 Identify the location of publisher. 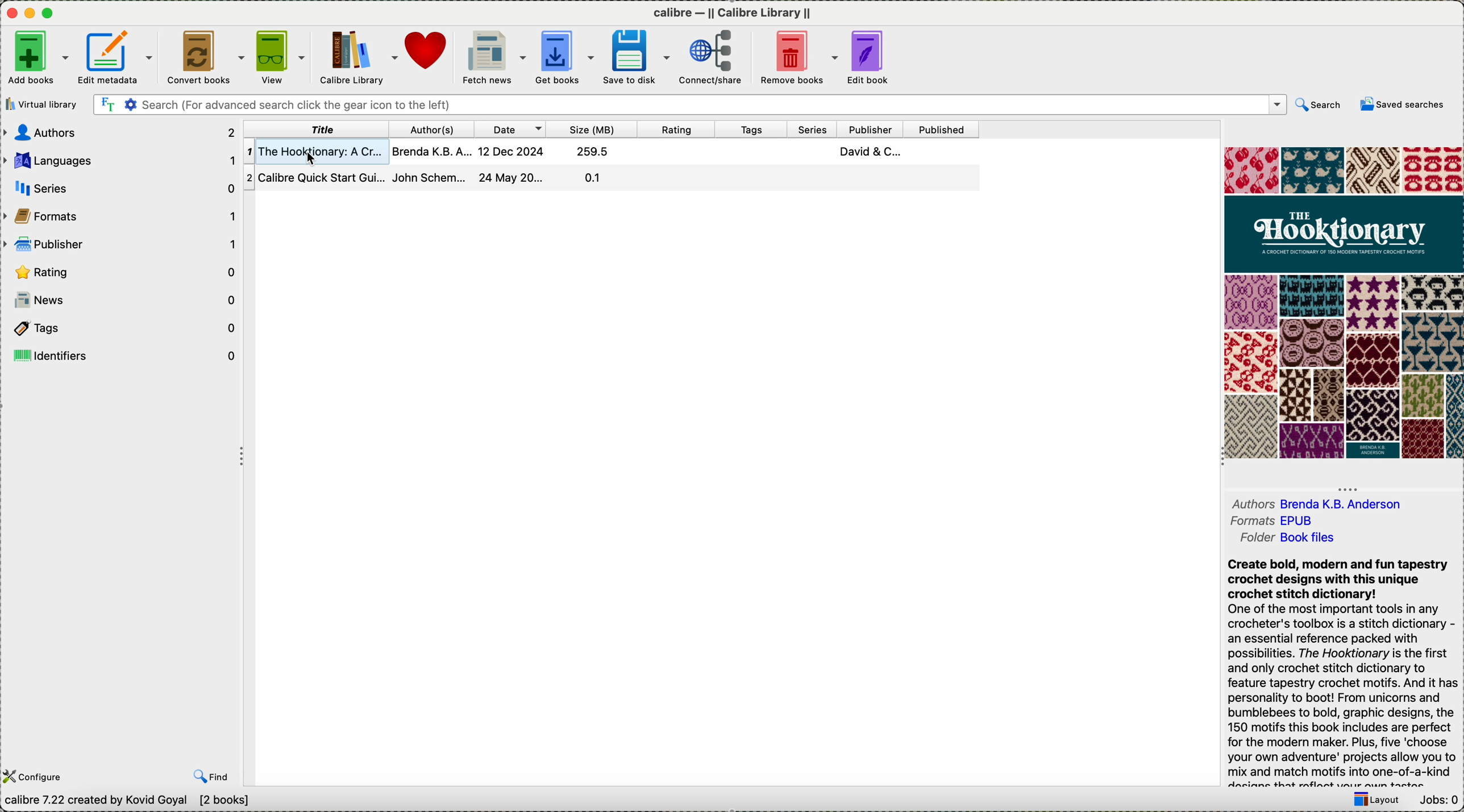
(123, 244).